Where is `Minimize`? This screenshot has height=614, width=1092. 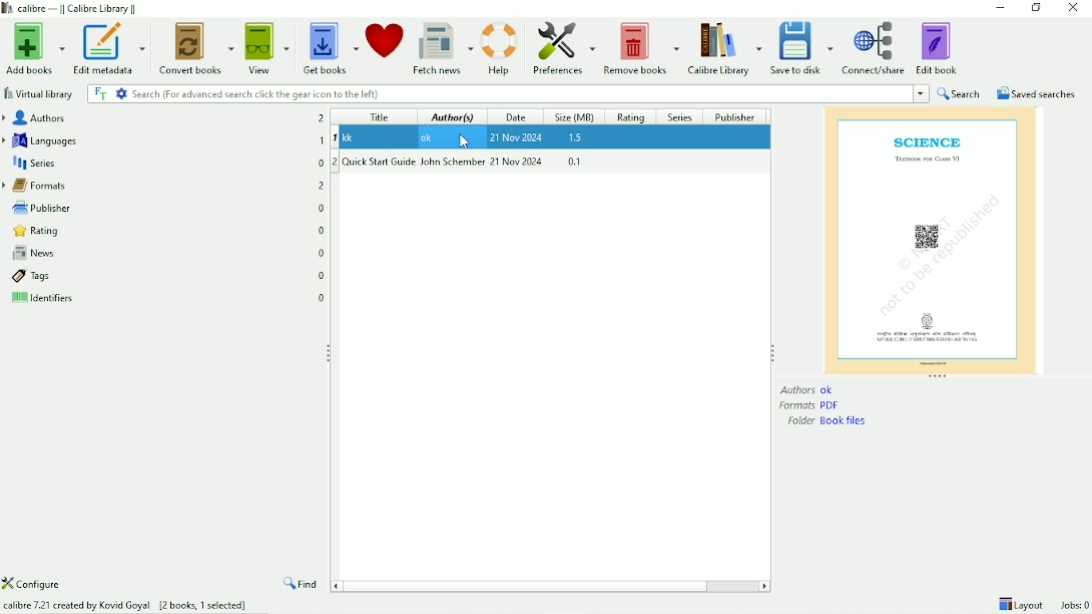 Minimize is located at coordinates (1001, 7).